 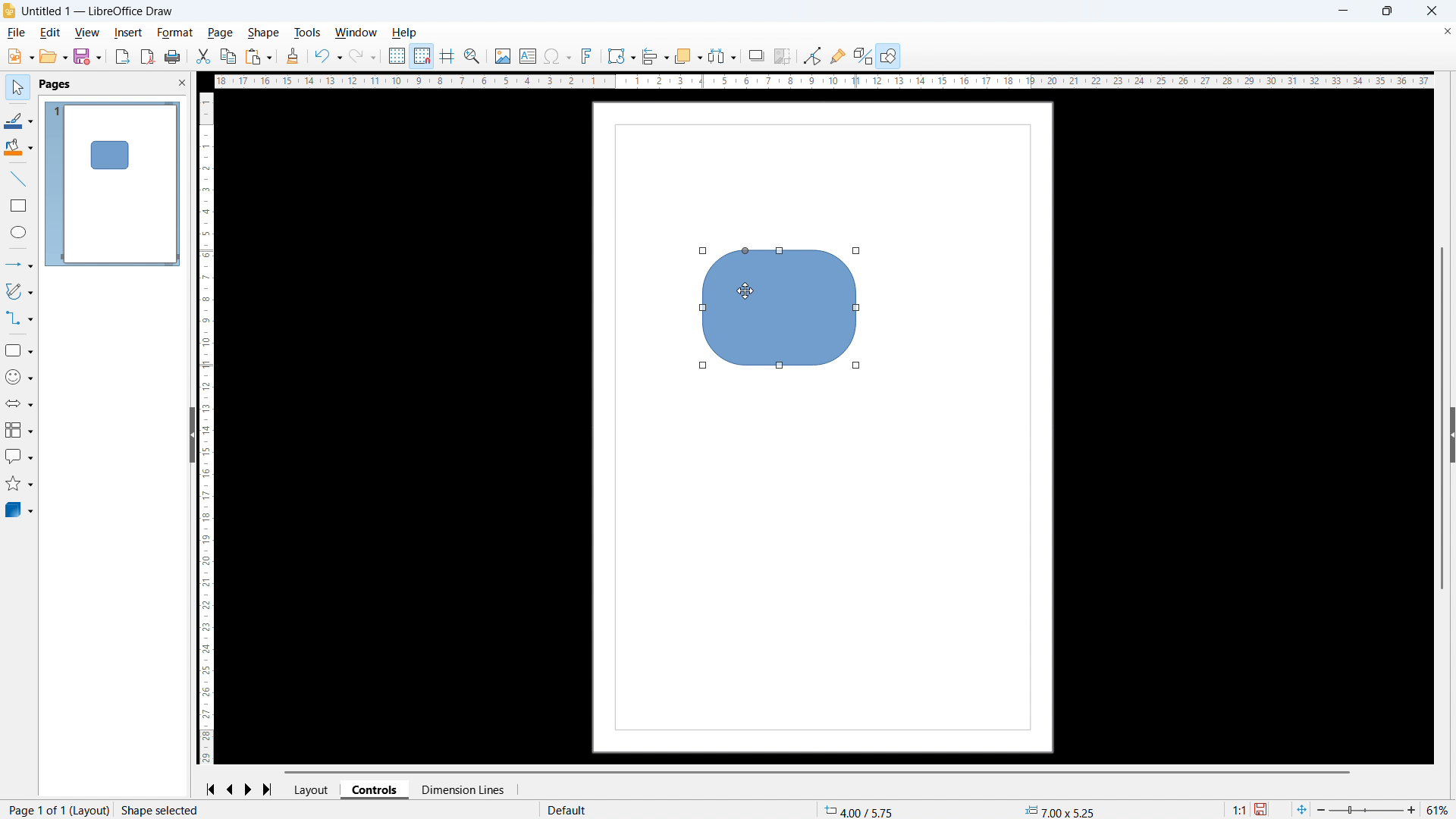 I want to click on Rectangle tool , so click(x=19, y=205).